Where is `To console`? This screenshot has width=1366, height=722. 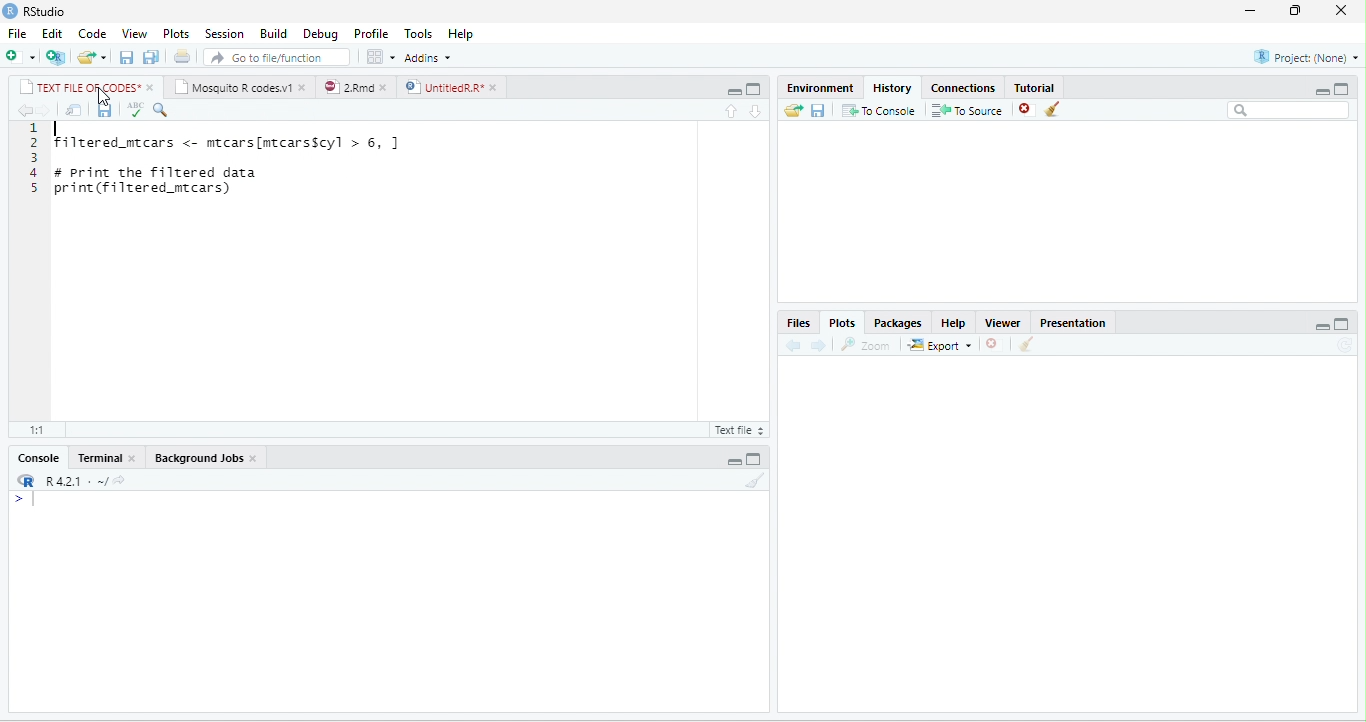
To console is located at coordinates (879, 110).